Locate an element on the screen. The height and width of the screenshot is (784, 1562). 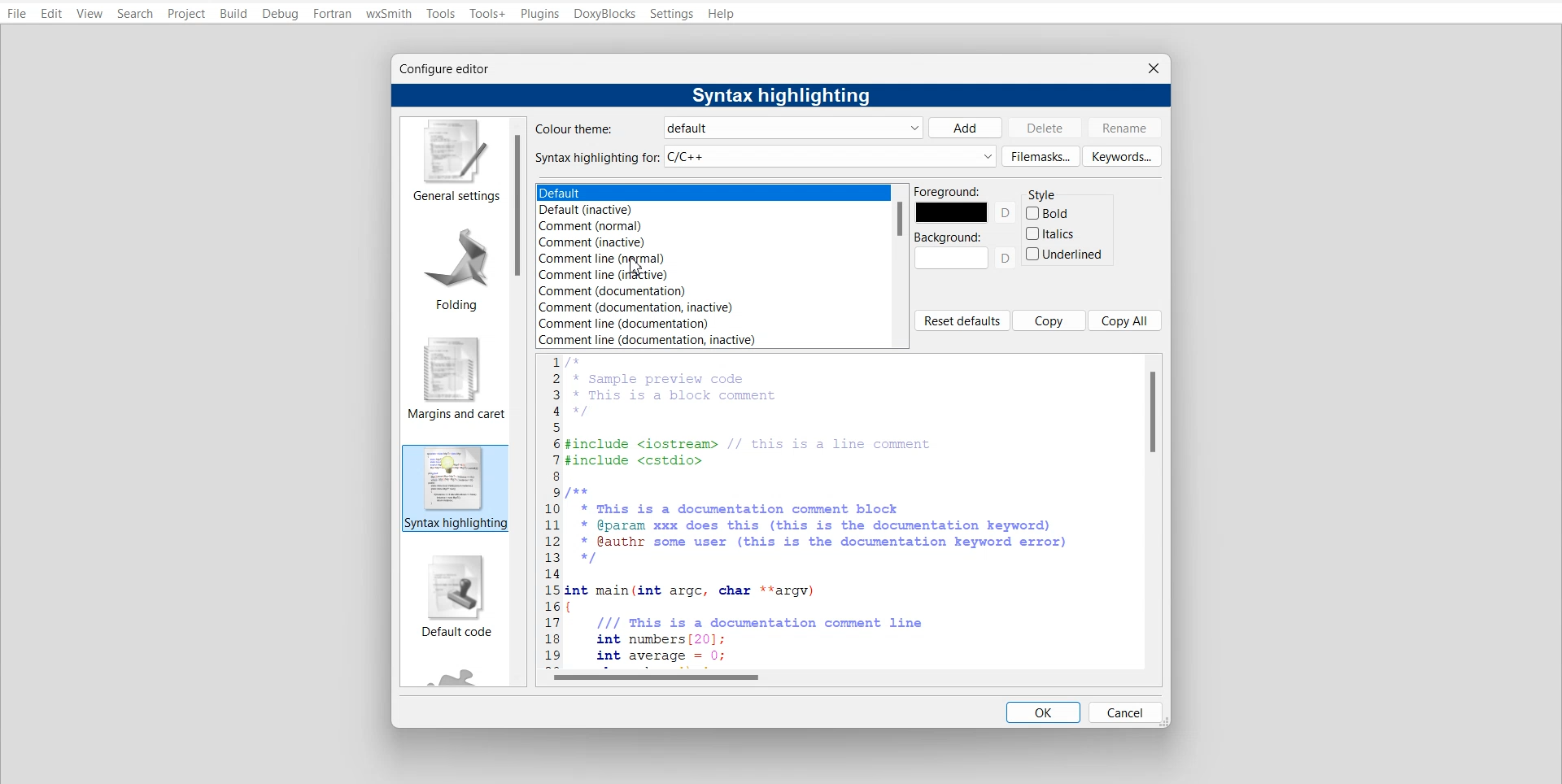
Search is located at coordinates (136, 13).